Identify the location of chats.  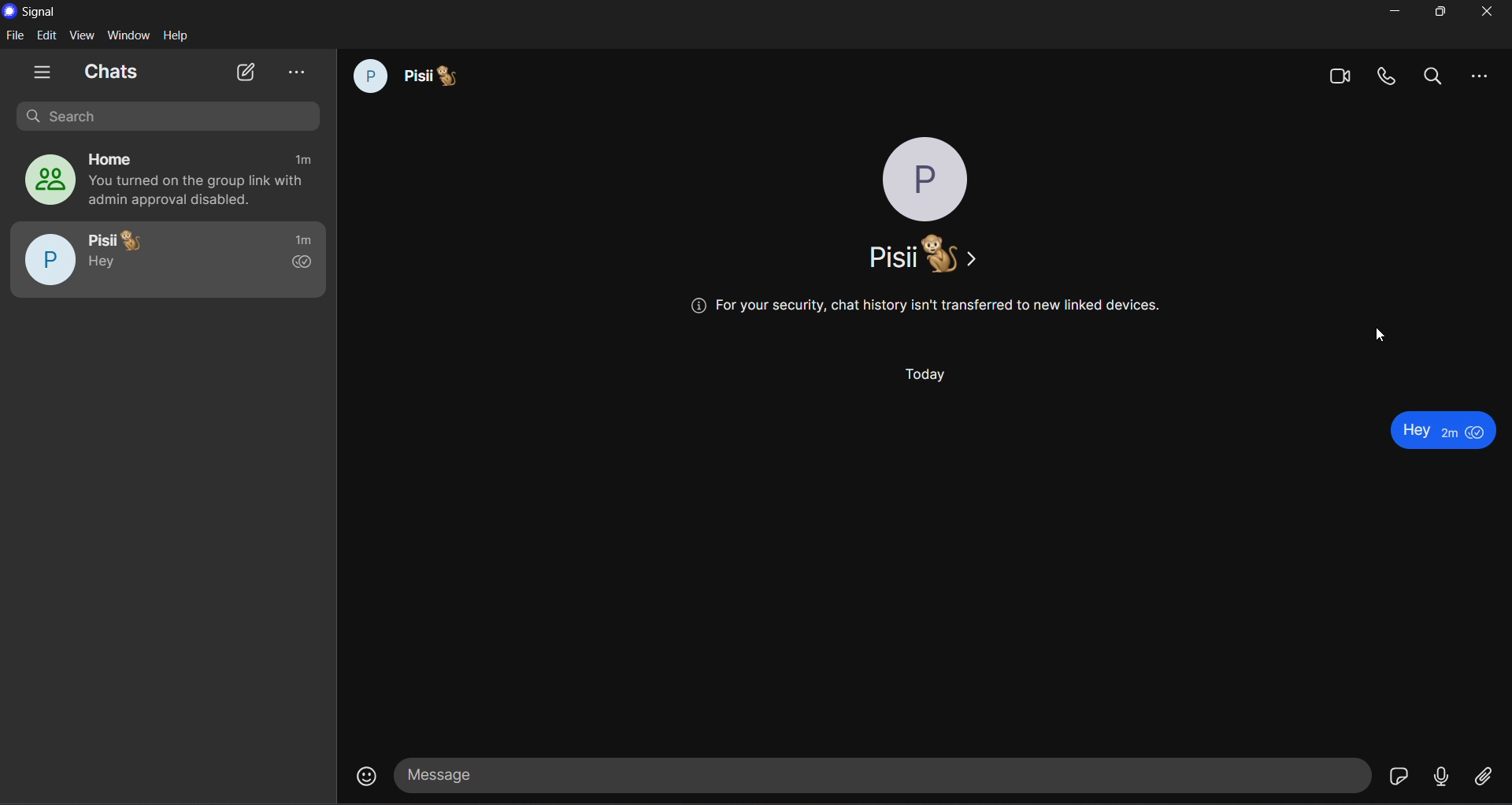
(109, 69).